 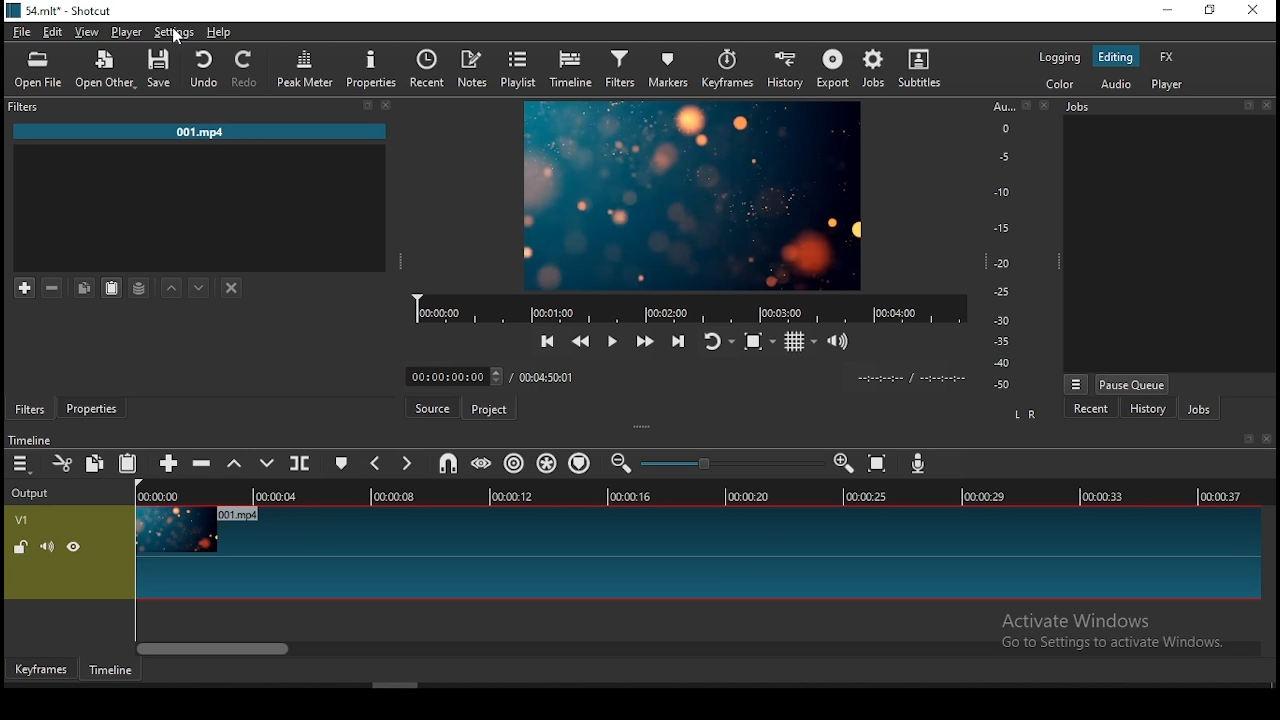 I want to click on -35, so click(x=998, y=342).